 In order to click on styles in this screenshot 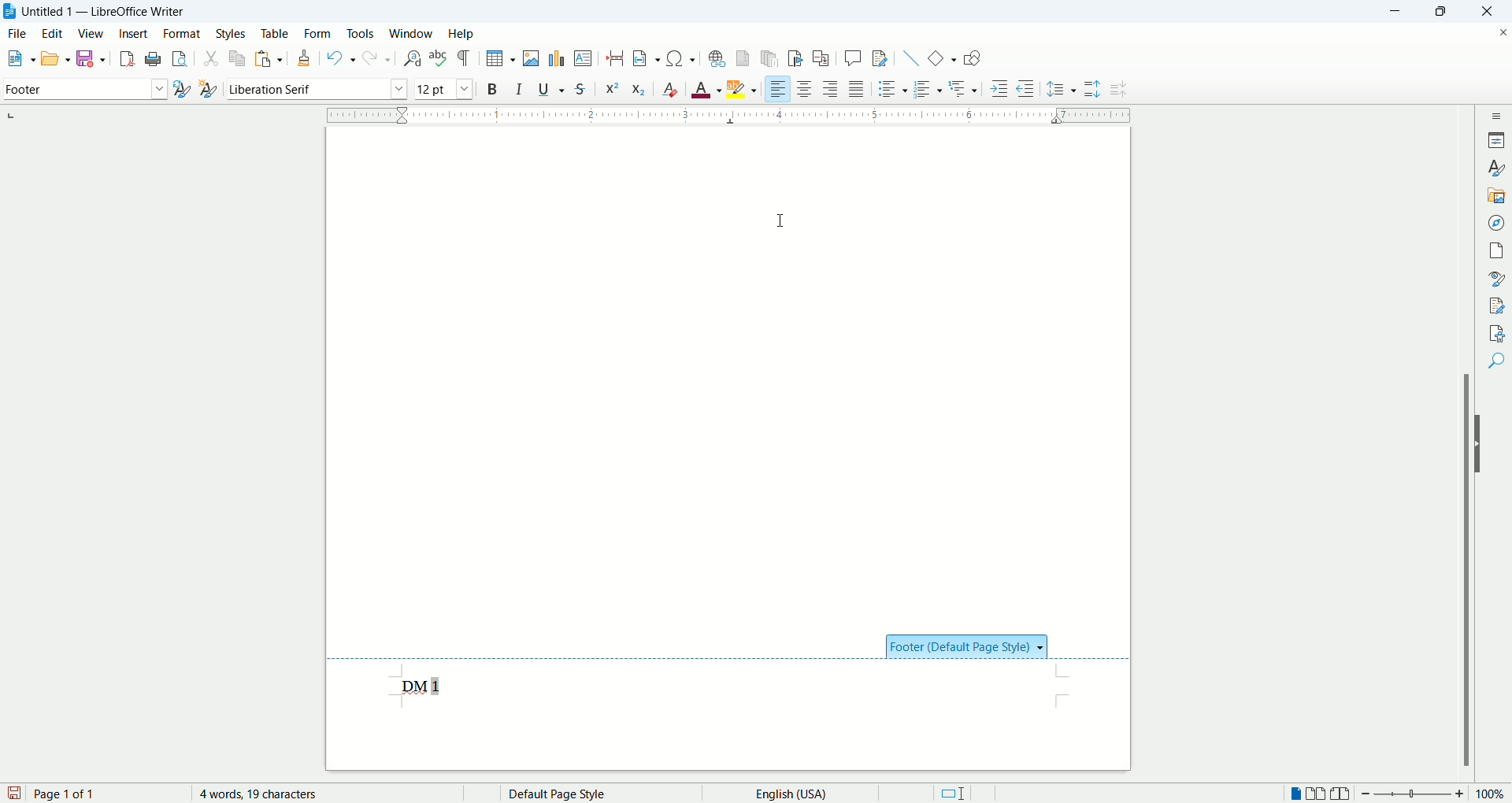, I will do `click(233, 33)`.